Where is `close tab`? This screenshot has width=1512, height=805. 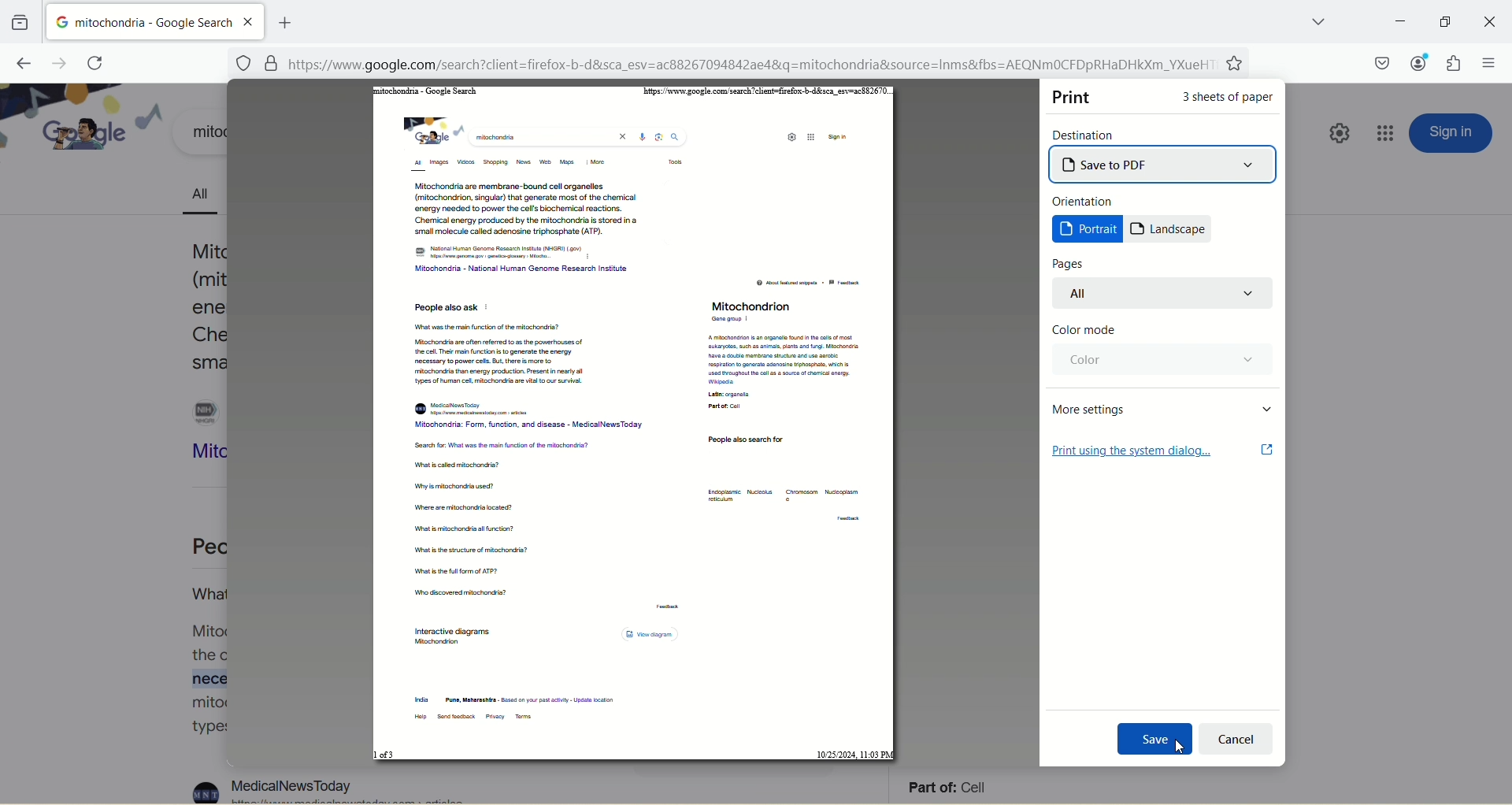 close tab is located at coordinates (250, 21).